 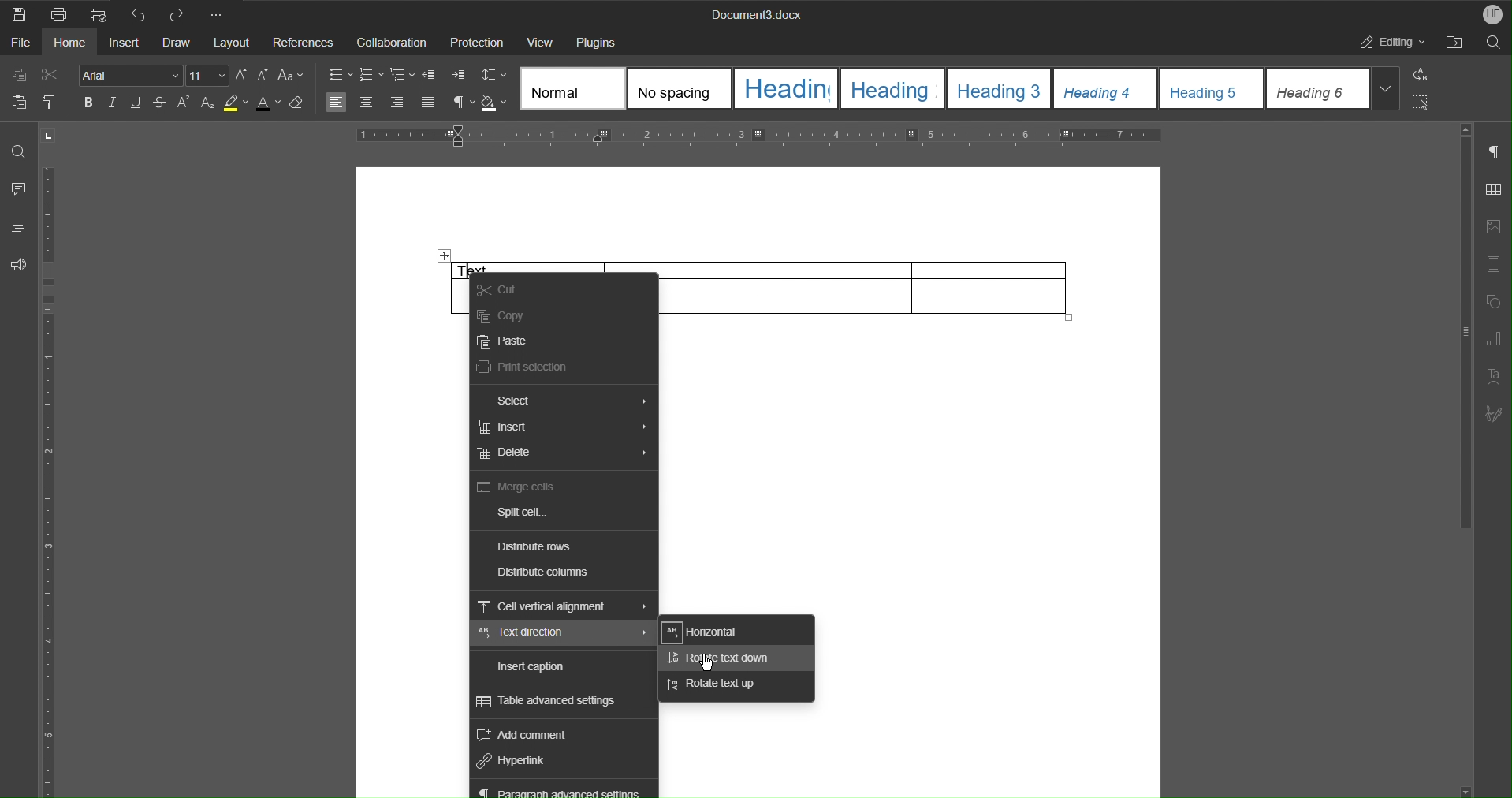 I want to click on Home, so click(x=71, y=43).